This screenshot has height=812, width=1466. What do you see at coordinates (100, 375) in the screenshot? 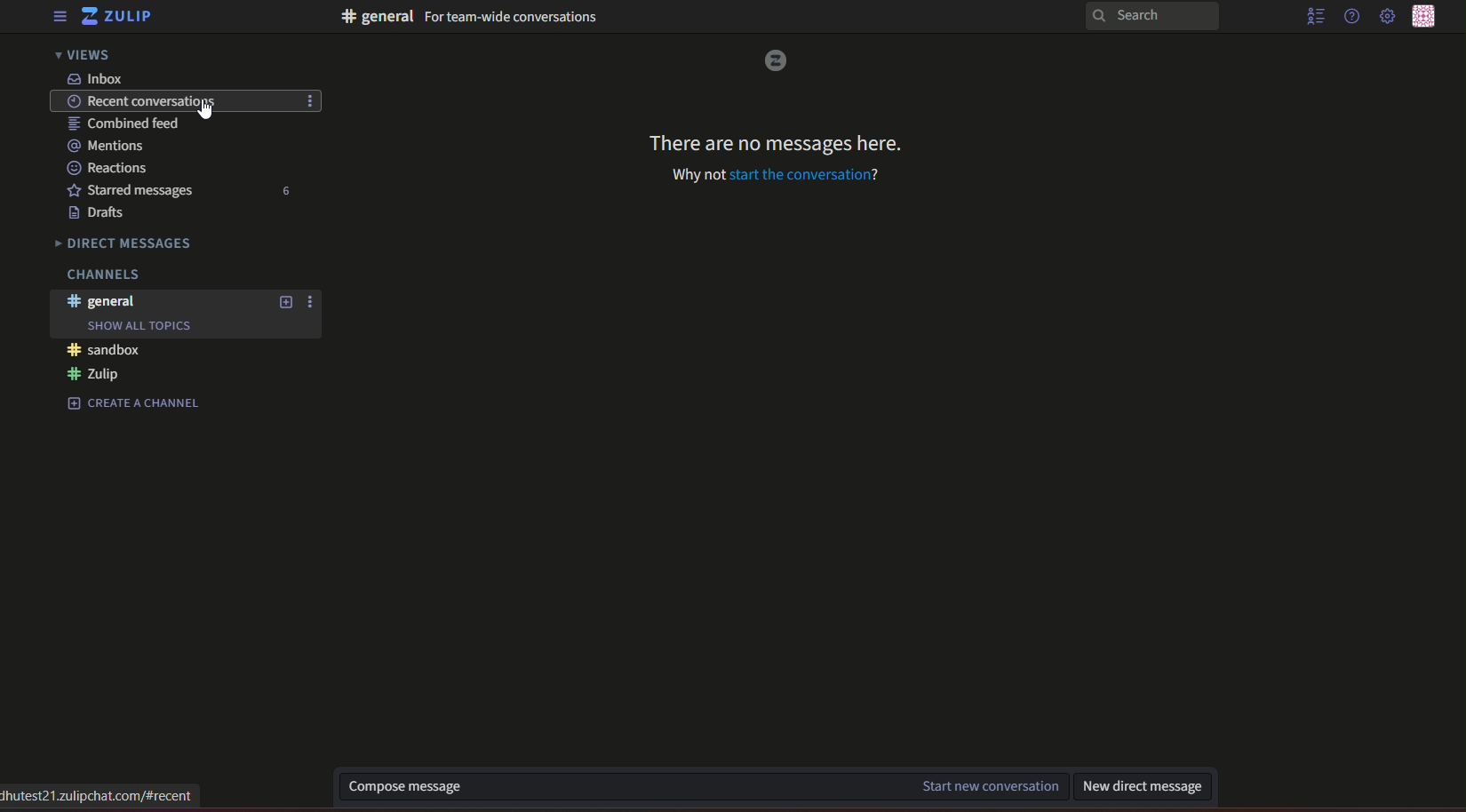
I see `#zulip` at bounding box center [100, 375].